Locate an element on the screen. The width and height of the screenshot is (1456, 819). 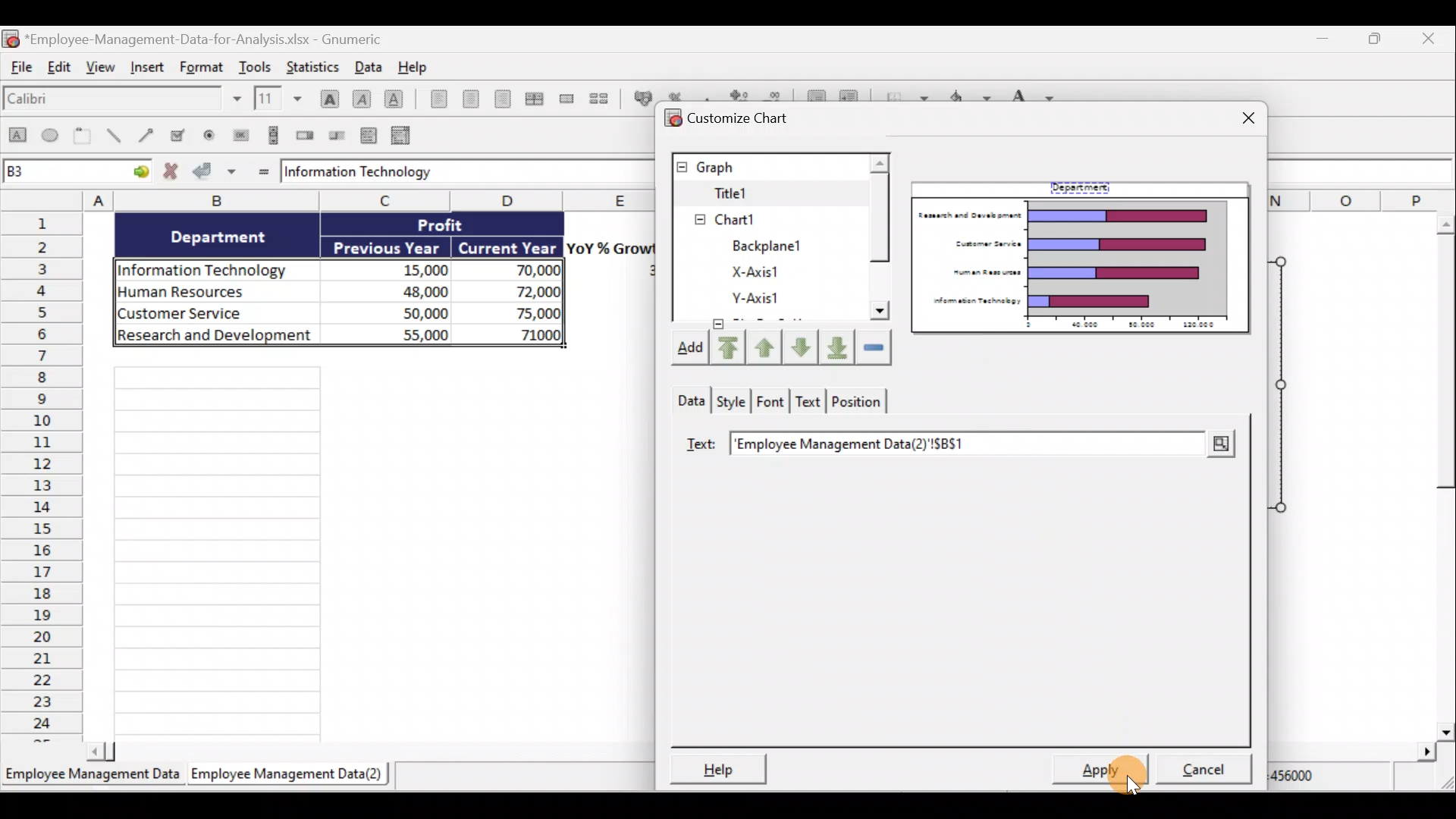
cell reference input is located at coordinates (952, 444).